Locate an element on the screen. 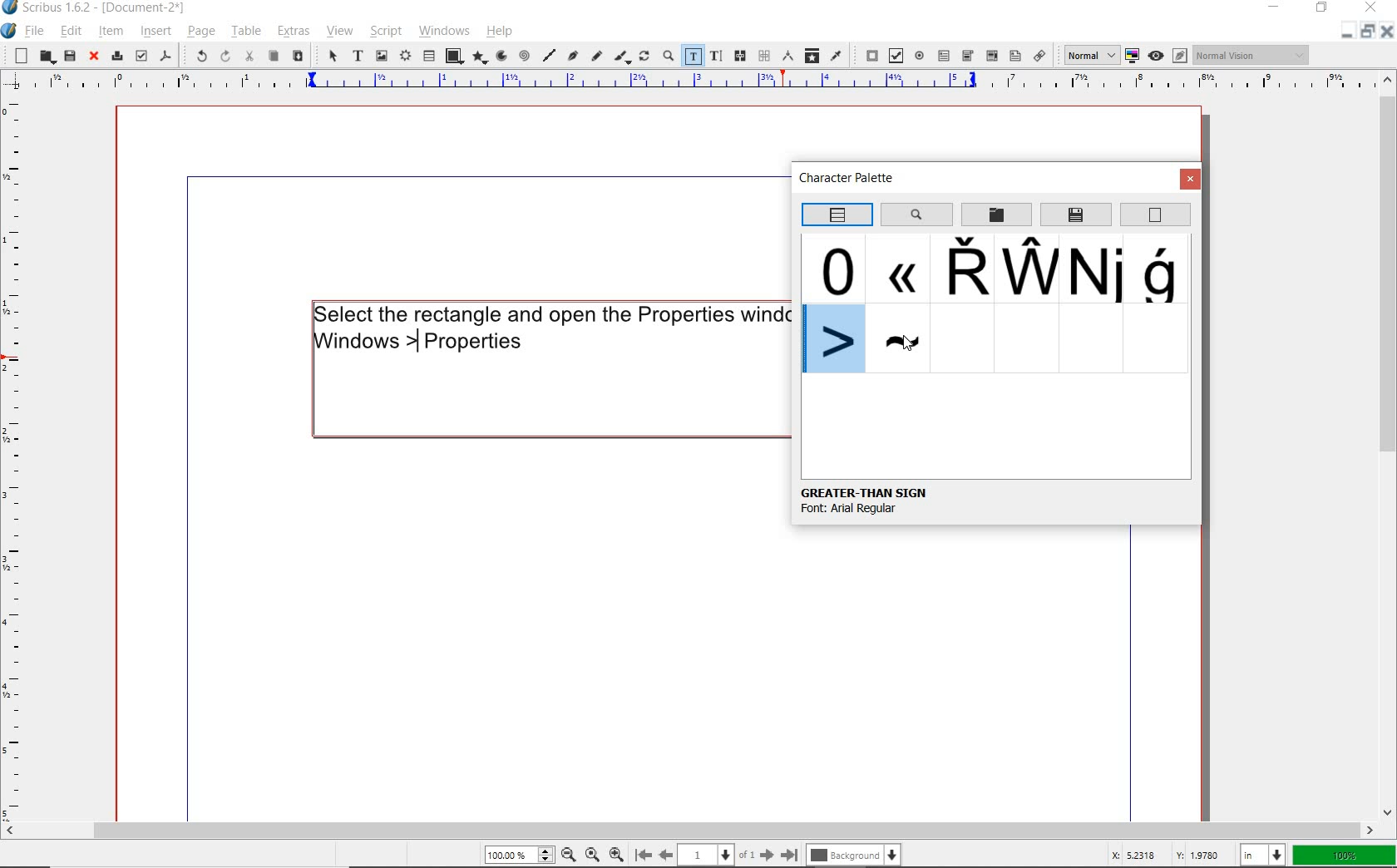 Image resolution: width=1397 pixels, height=868 pixels. of 1 is located at coordinates (747, 854).